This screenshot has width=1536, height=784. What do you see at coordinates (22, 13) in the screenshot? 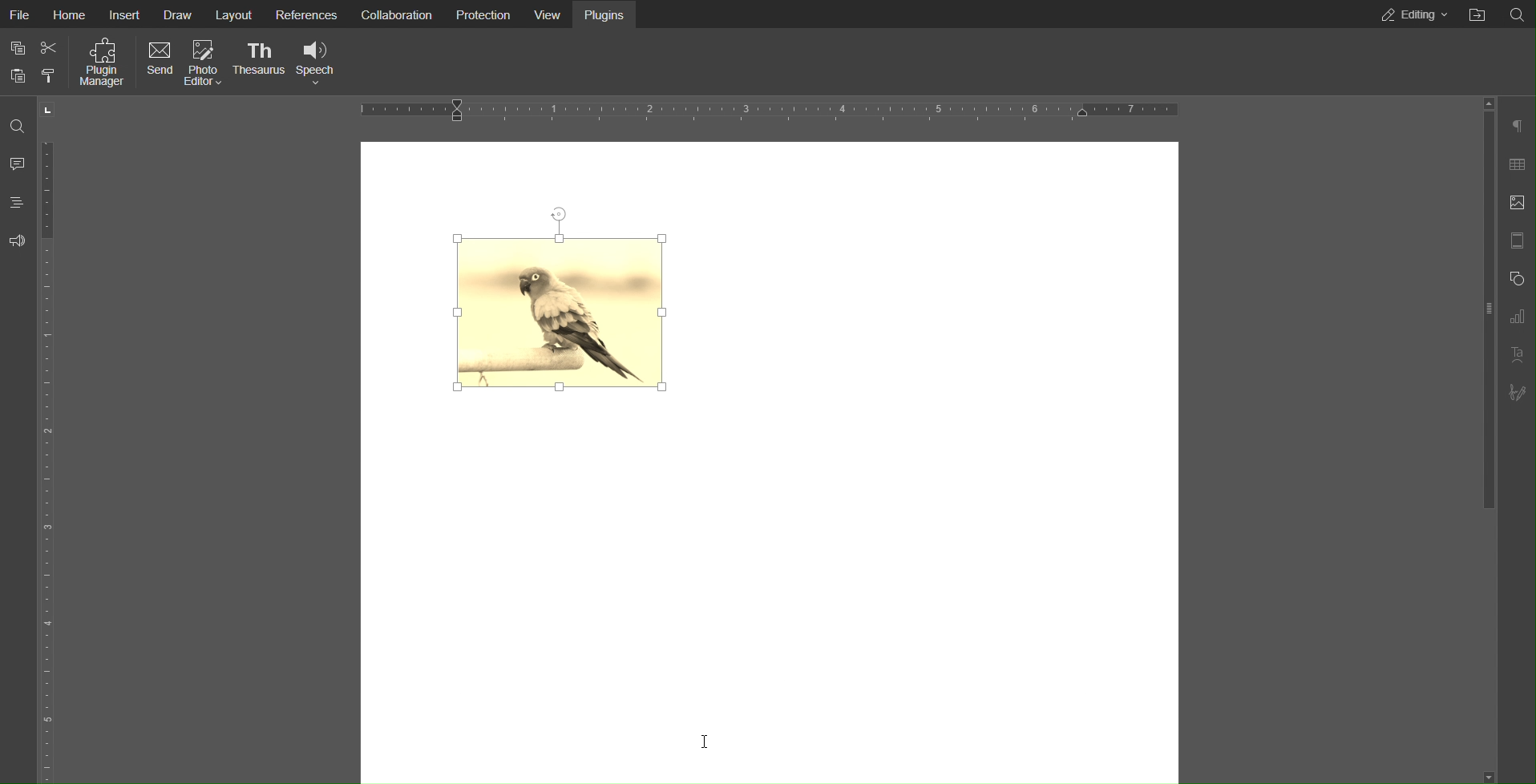
I see `File` at bounding box center [22, 13].